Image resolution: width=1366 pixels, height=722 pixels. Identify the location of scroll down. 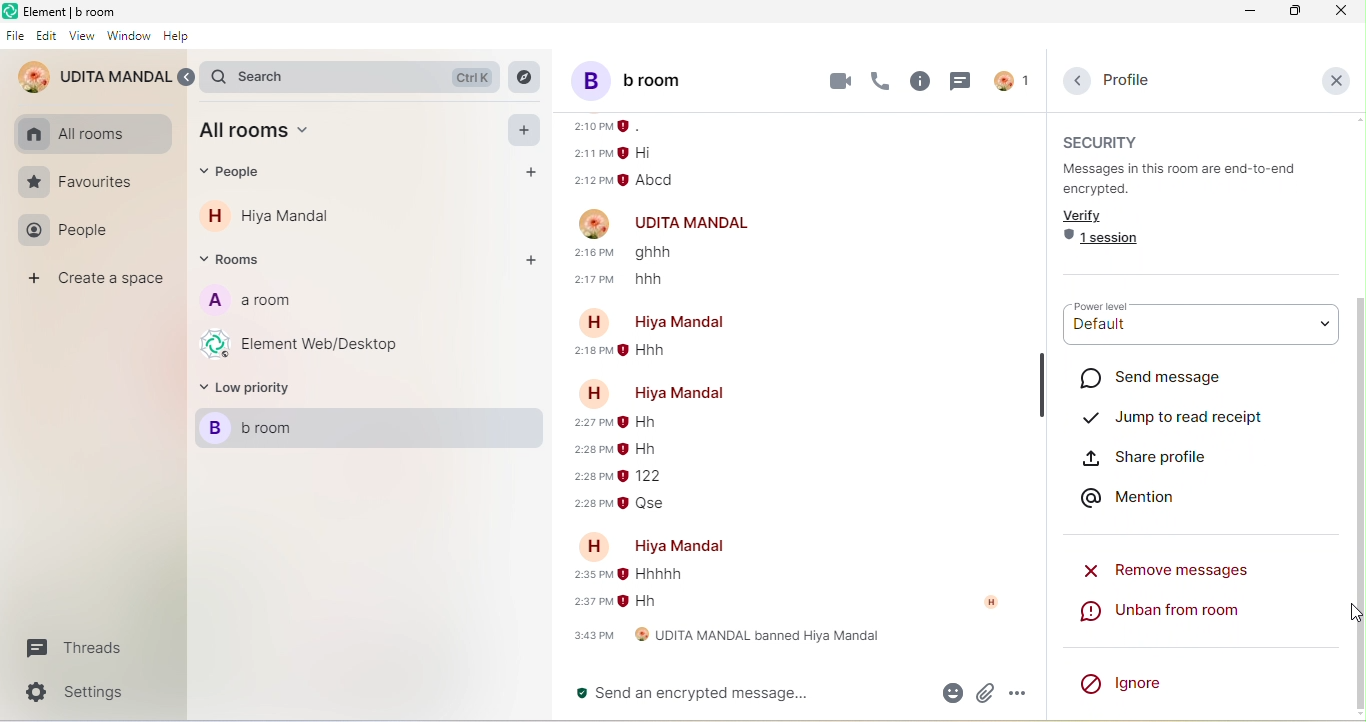
(1357, 502).